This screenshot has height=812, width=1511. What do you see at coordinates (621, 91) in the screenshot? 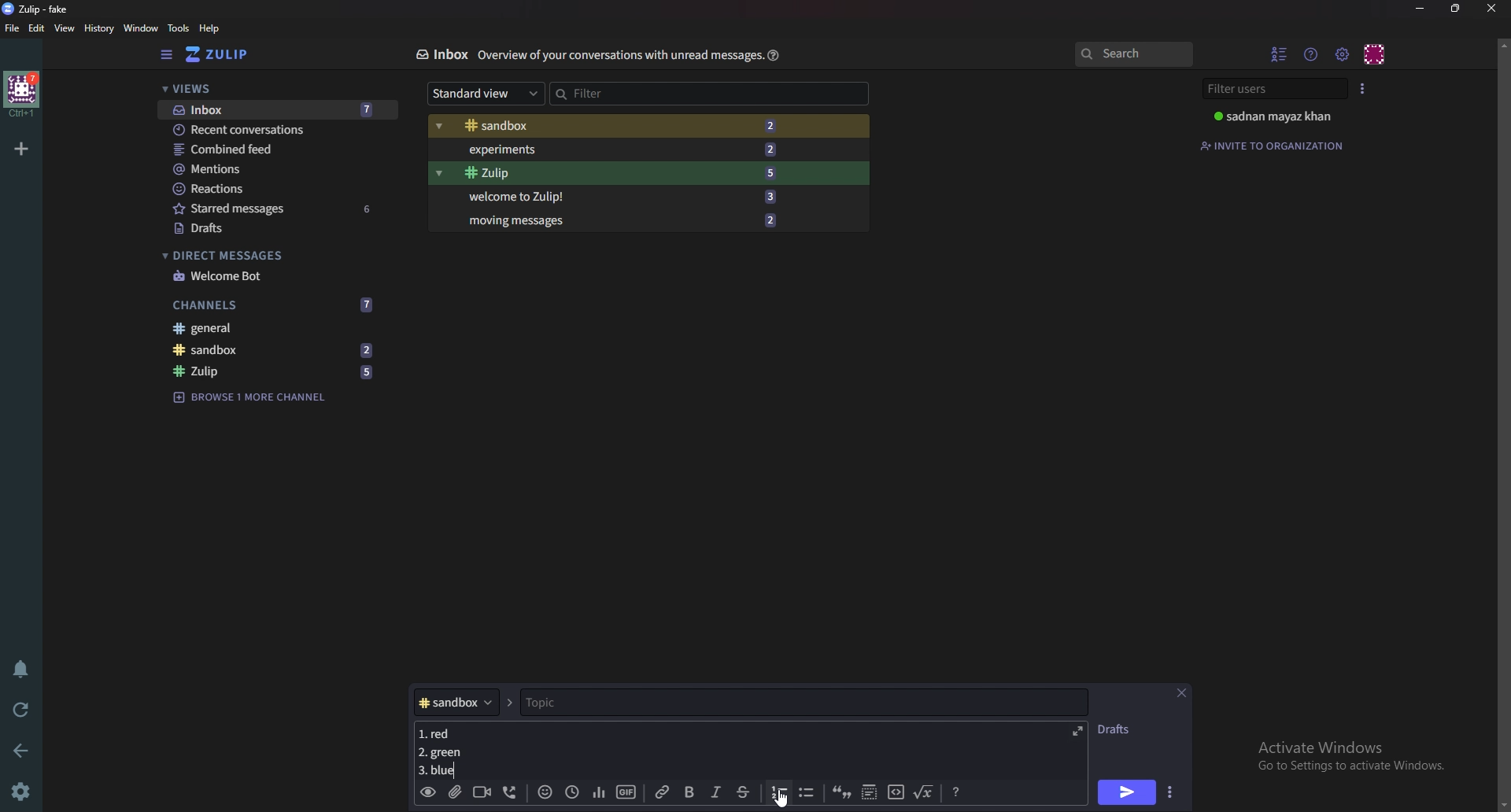
I see `Filter` at bounding box center [621, 91].